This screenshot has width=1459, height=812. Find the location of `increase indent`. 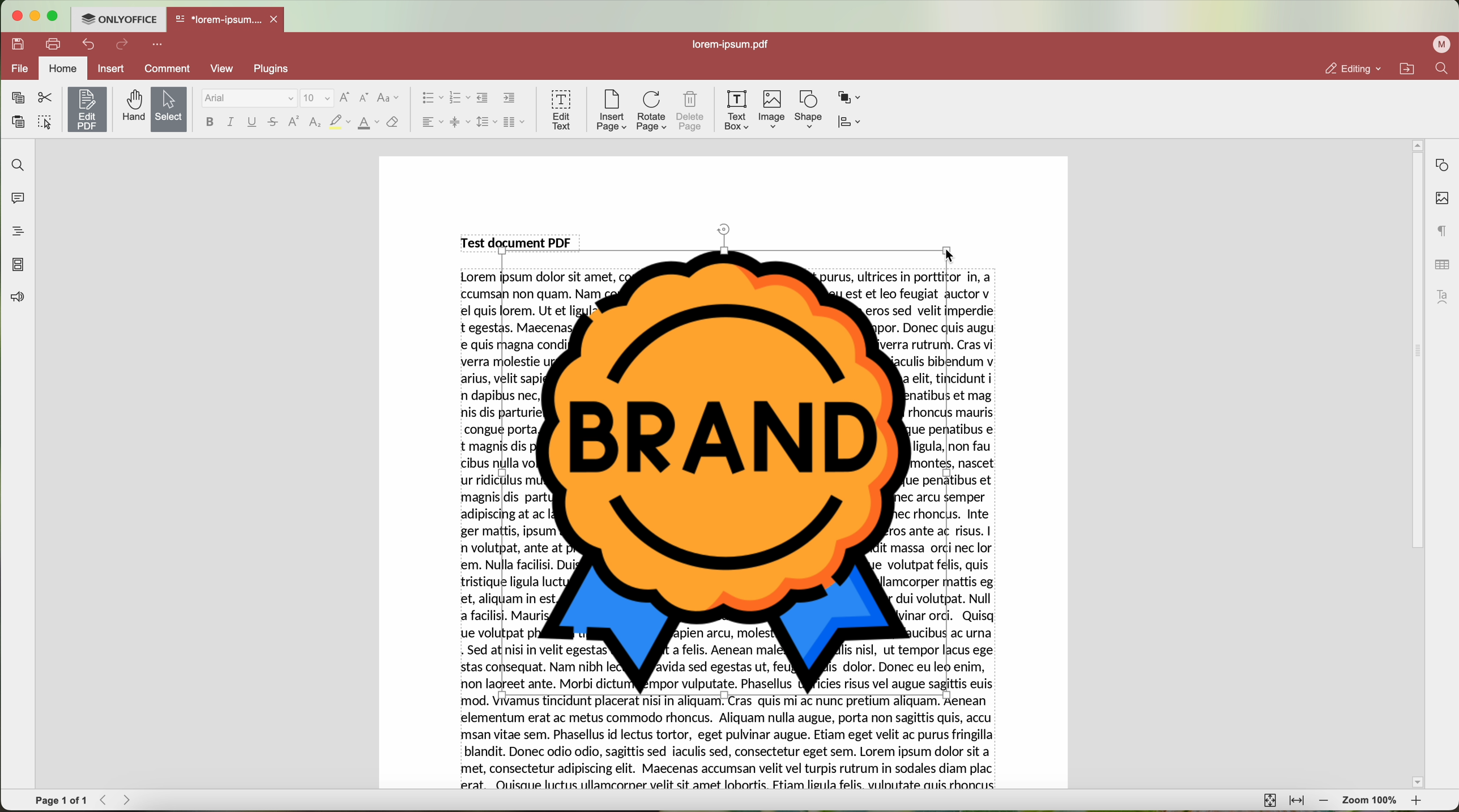

increase indent is located at coordinates (510, 97).